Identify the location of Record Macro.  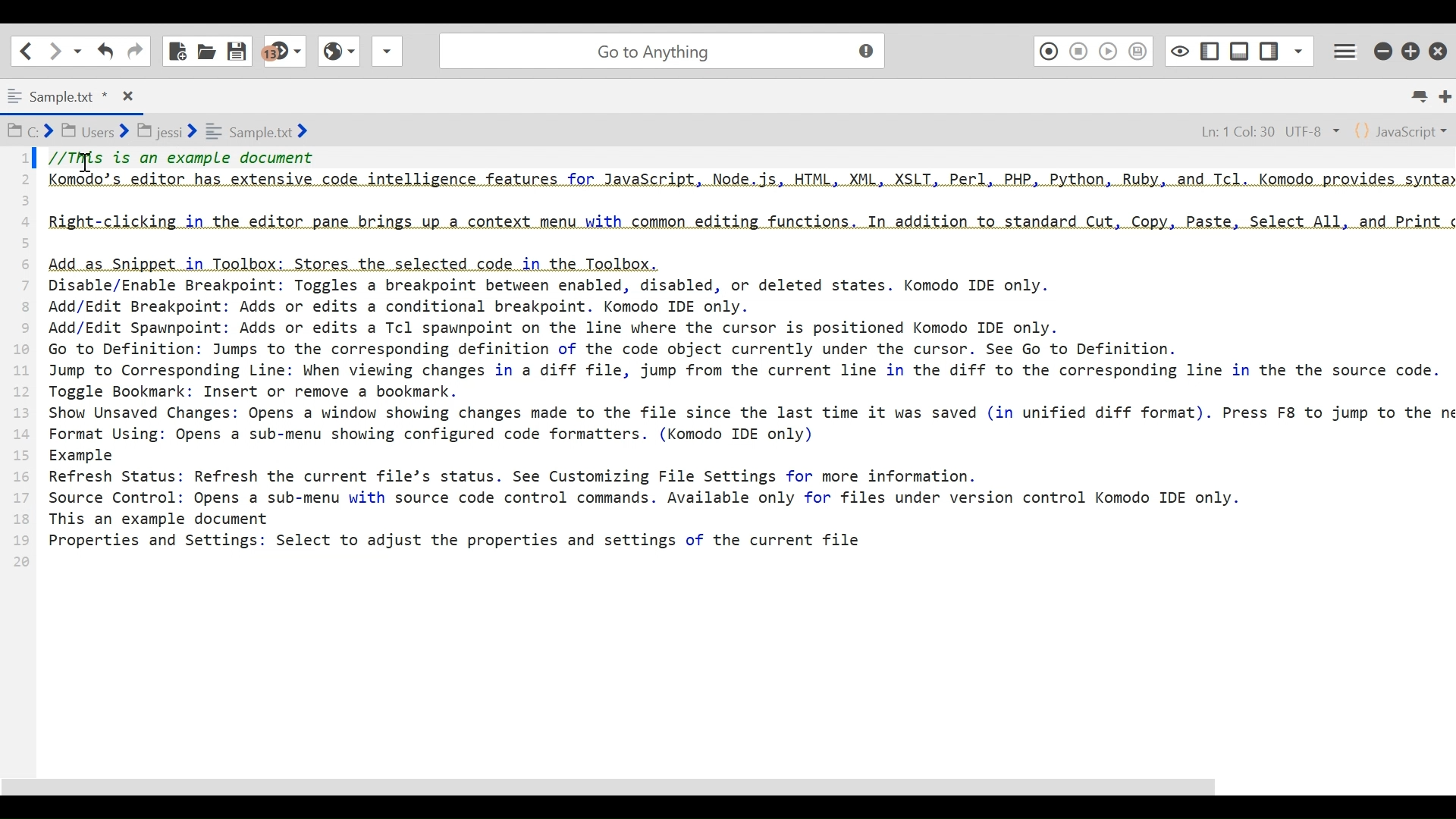
(1048, 50).